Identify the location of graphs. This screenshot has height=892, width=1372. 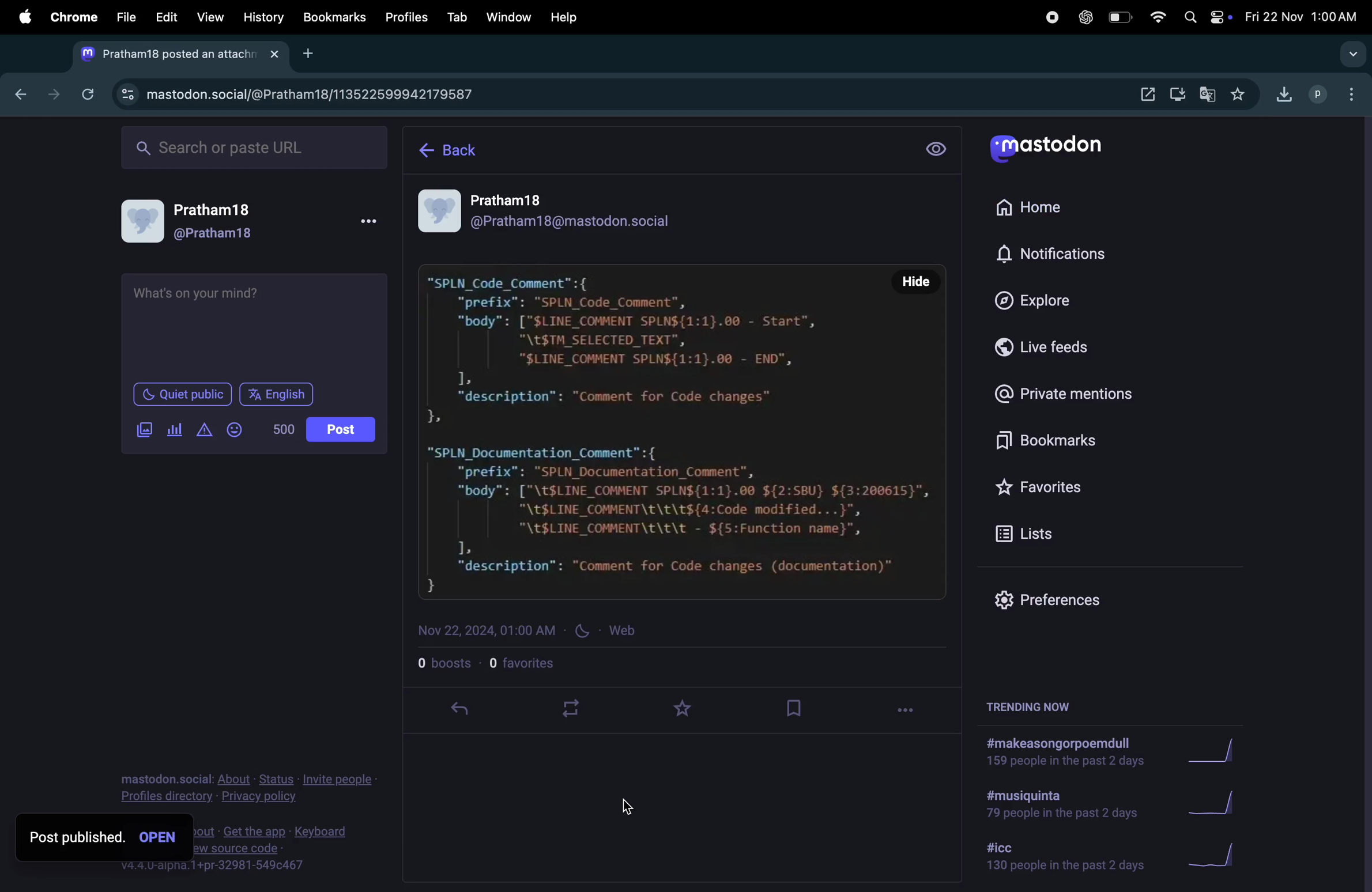
(1213, 852).